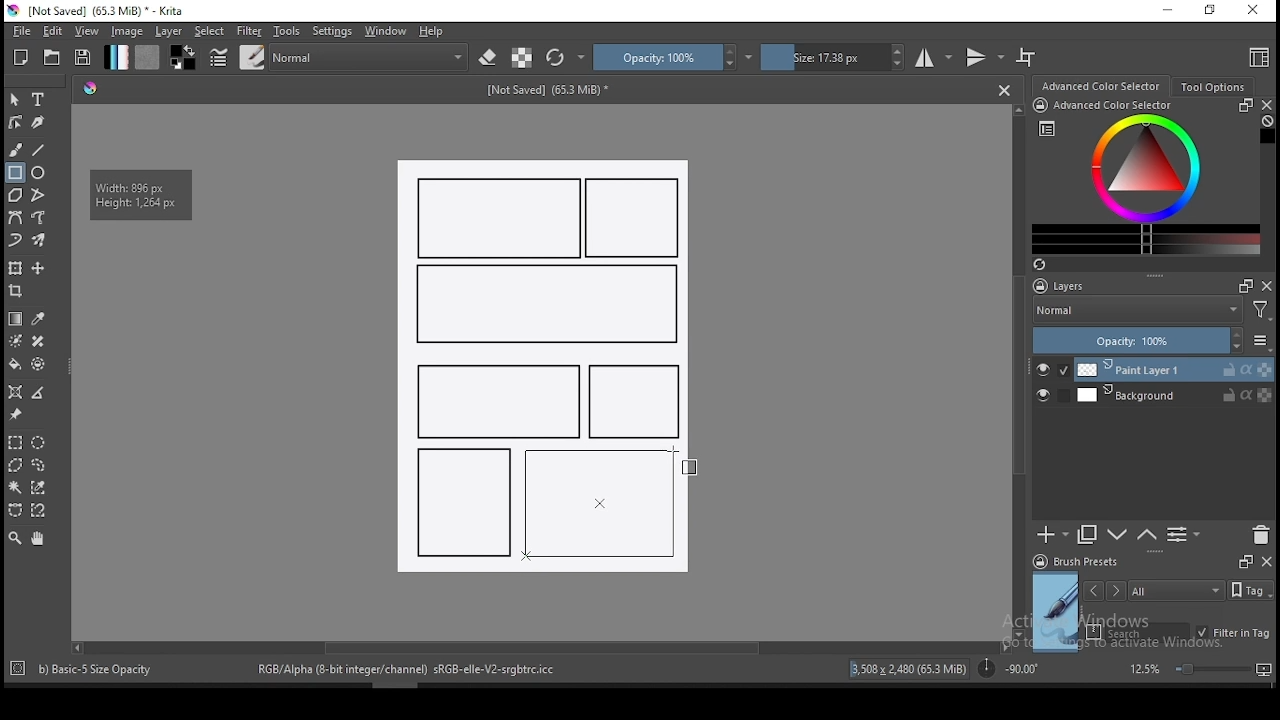 The height and width of the screenshot is (720, 1280). I want to click on rectangle tool, so click(15, 173).